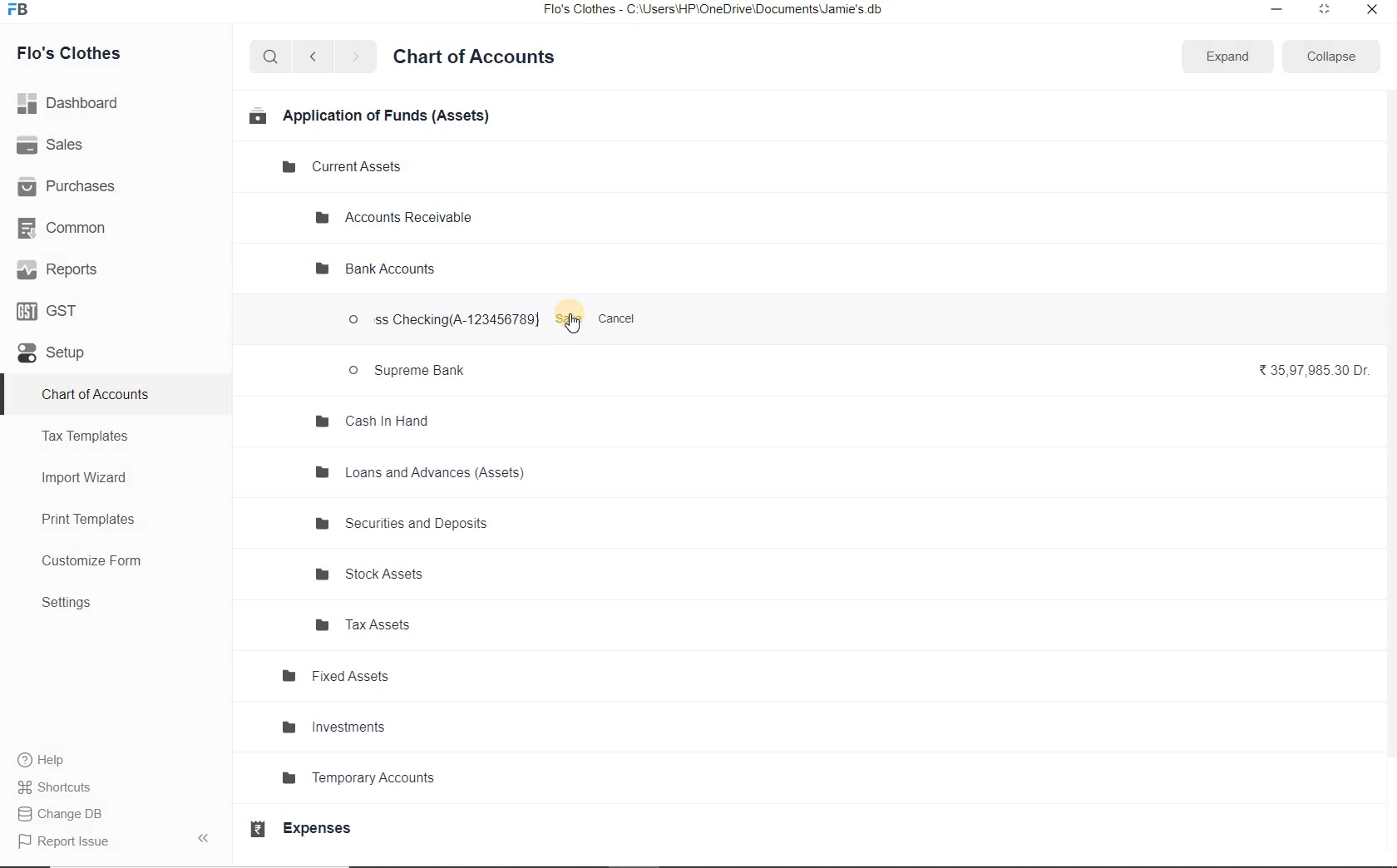 Image resolution: width=1397 pixels, height=868 pixels. Describe the element at coordinates (431, 479) in the screenshot. I see `Loans and Advances (Assets)` at that location.